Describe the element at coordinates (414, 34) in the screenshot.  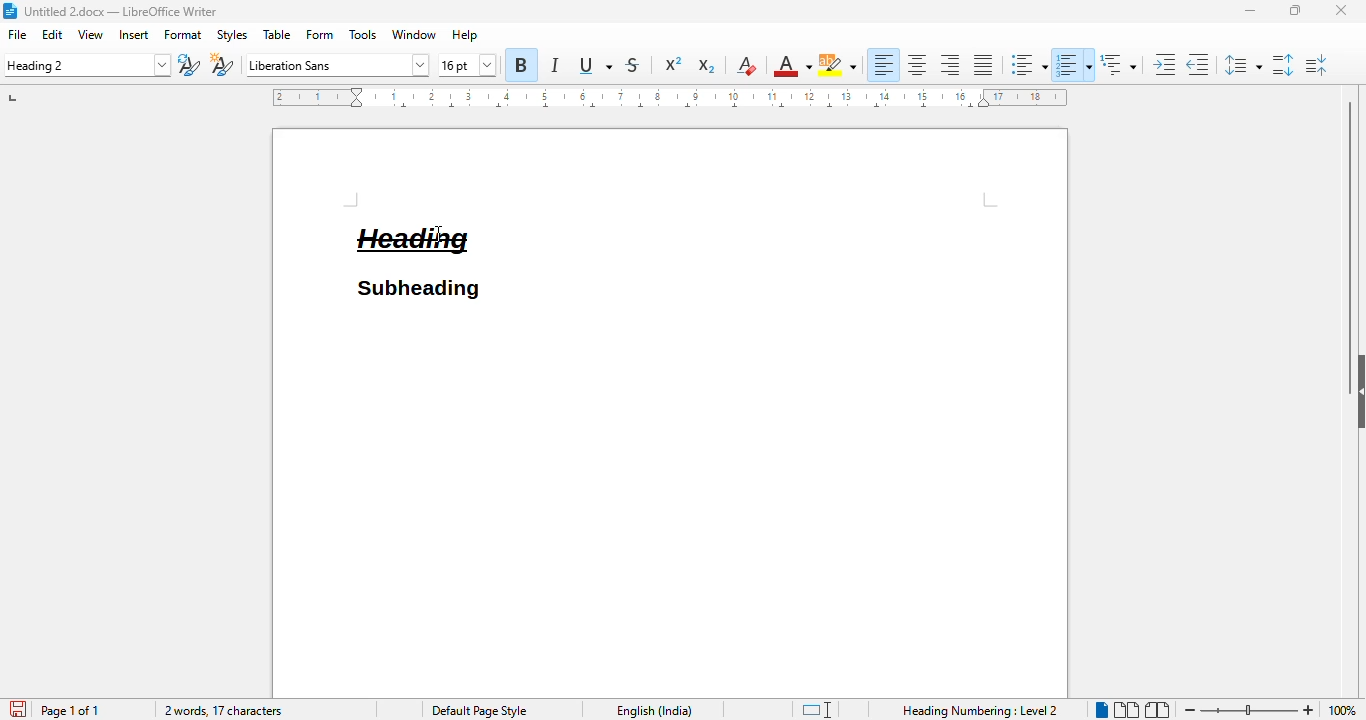
I see `window` at that location.